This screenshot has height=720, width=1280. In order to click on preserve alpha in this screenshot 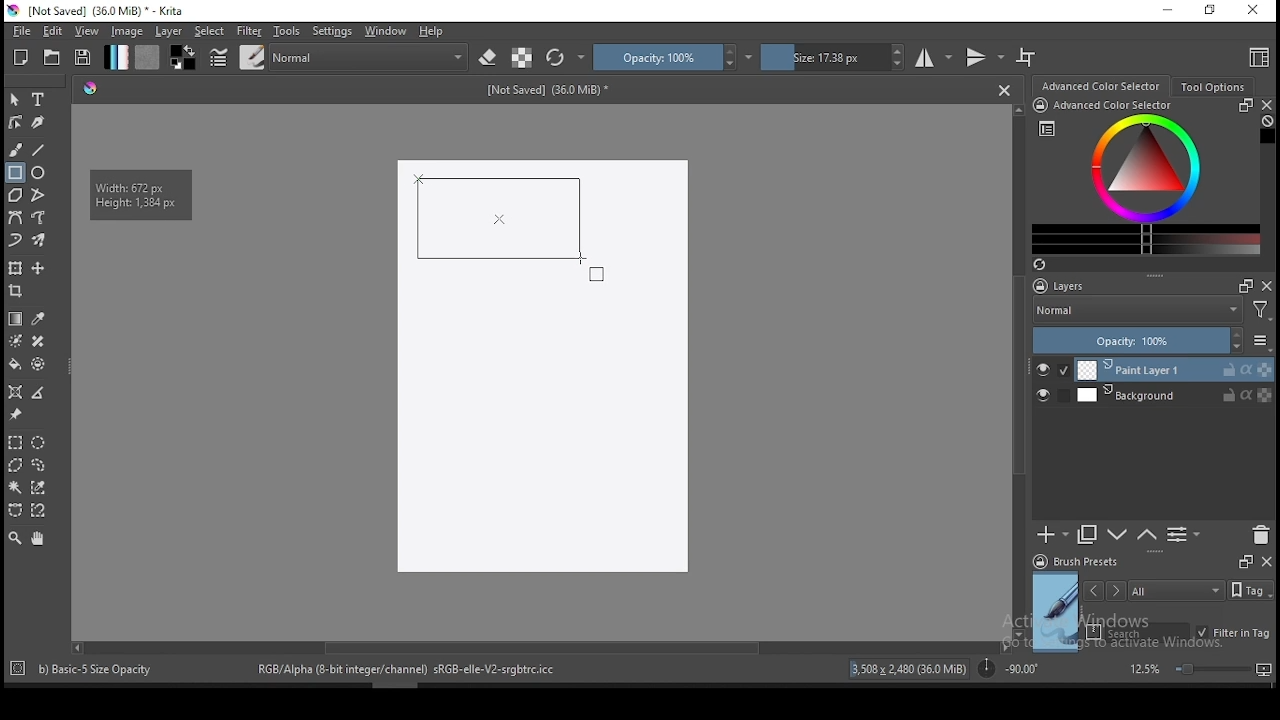, I will do `click(522, 59)`.